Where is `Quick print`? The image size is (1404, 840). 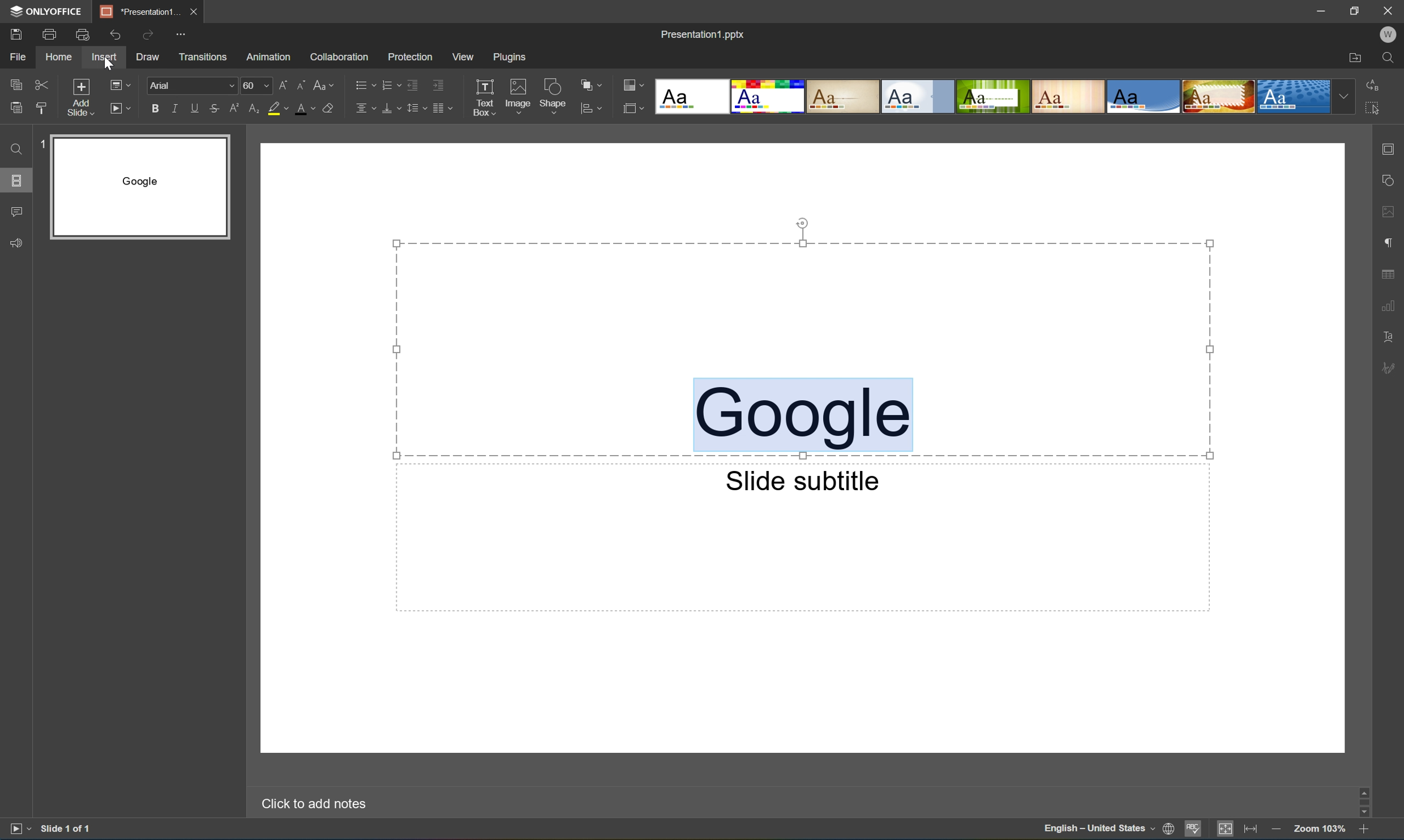 Quick print is located at coordinates (84, 35).